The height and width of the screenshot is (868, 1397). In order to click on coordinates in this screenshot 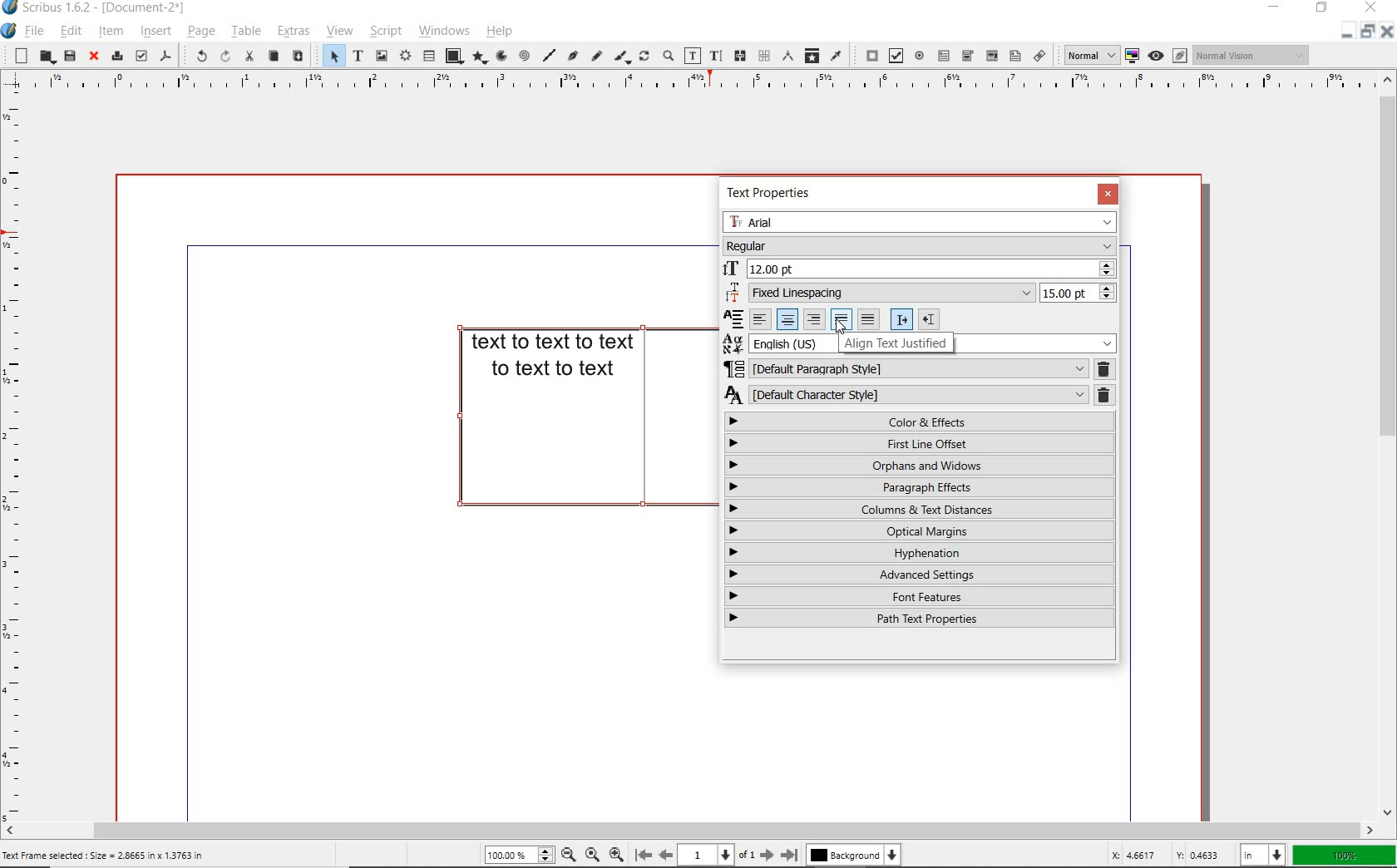, I will do `click(1164, 856)`.